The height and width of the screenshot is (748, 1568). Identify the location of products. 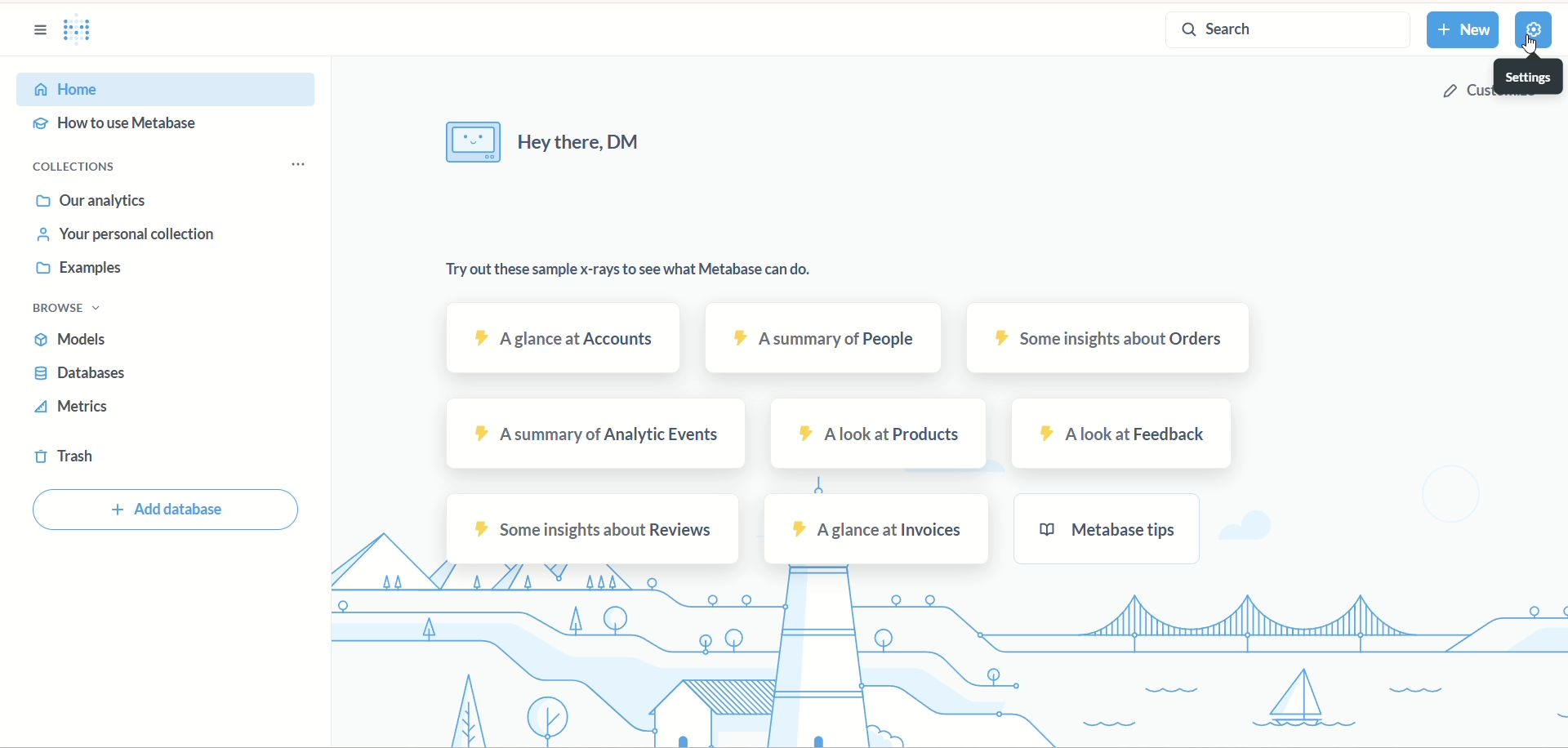
(880, 435).